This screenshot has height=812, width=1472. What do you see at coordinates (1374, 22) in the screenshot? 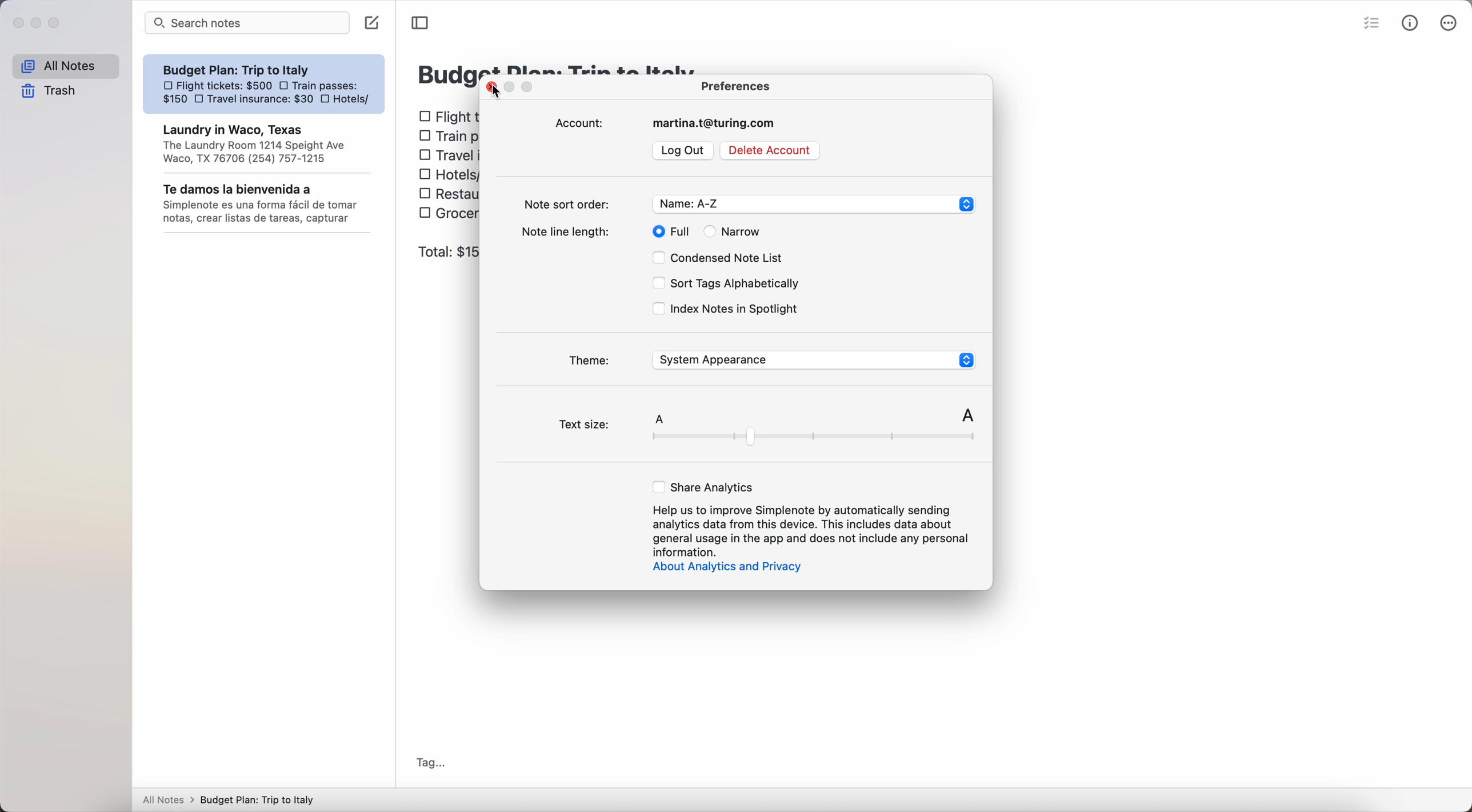
I see `check list` at bounding box center [1374, 22].